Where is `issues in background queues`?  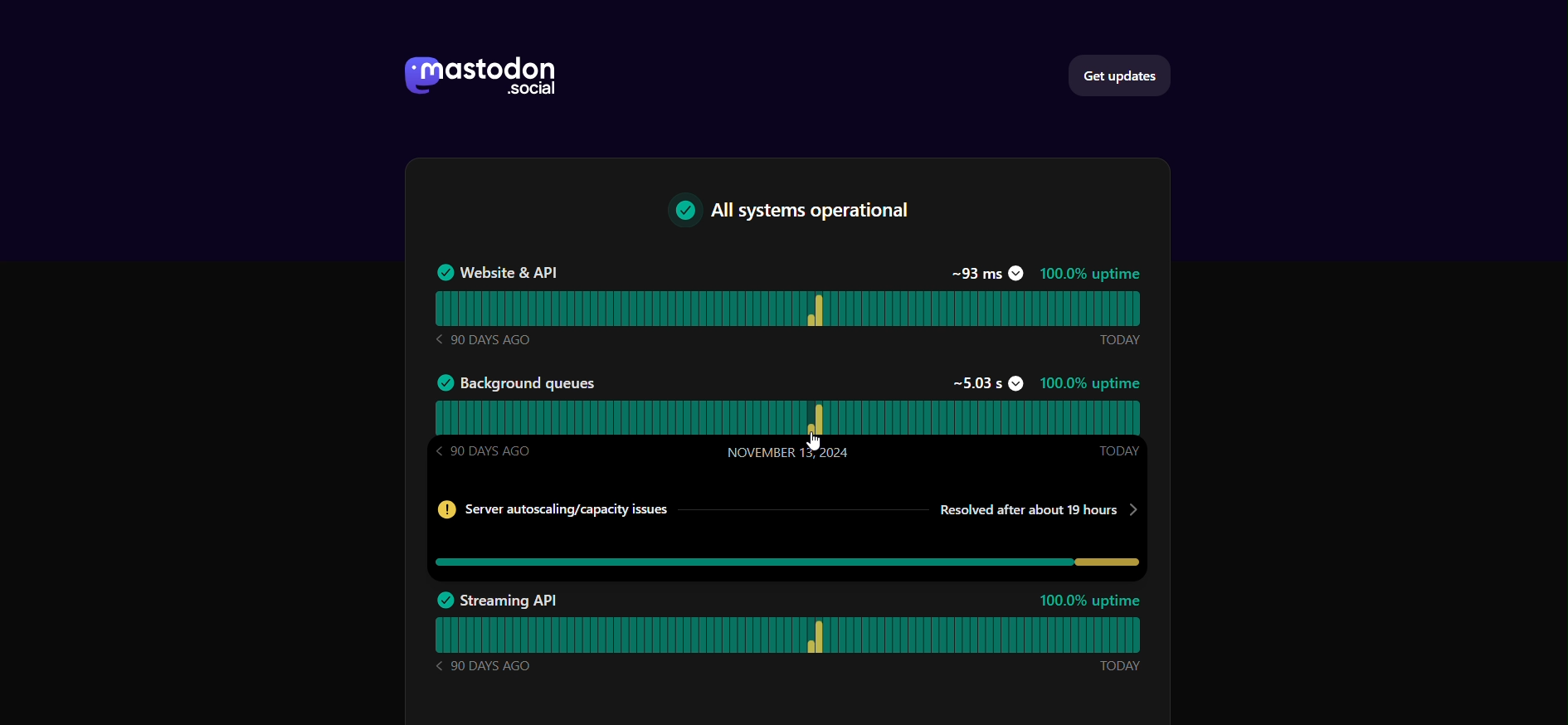 issues in background queues is located at coordinates (788, 560).